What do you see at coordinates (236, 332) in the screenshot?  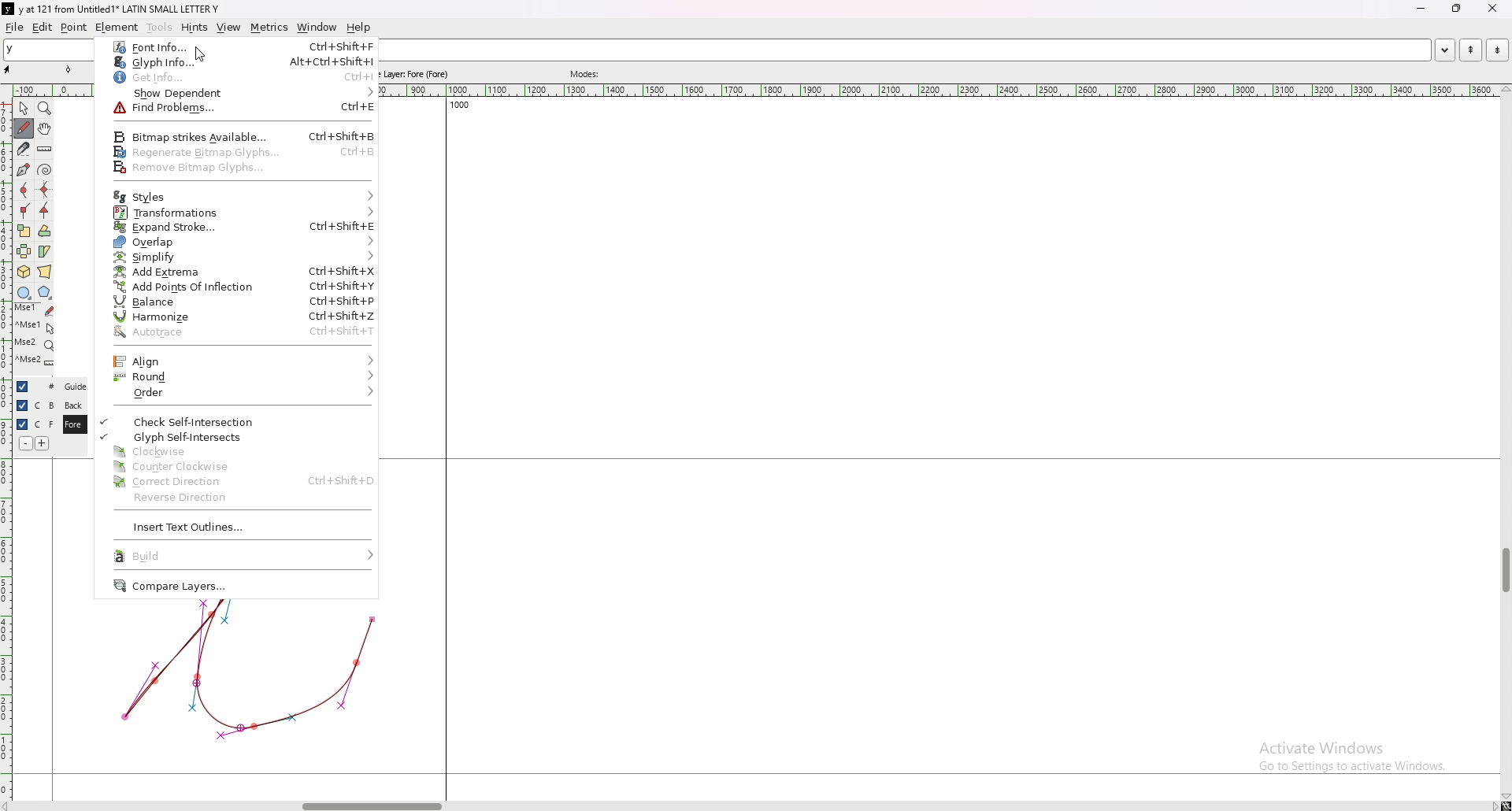 I see `auto trace` at bounding box center [236, 332].